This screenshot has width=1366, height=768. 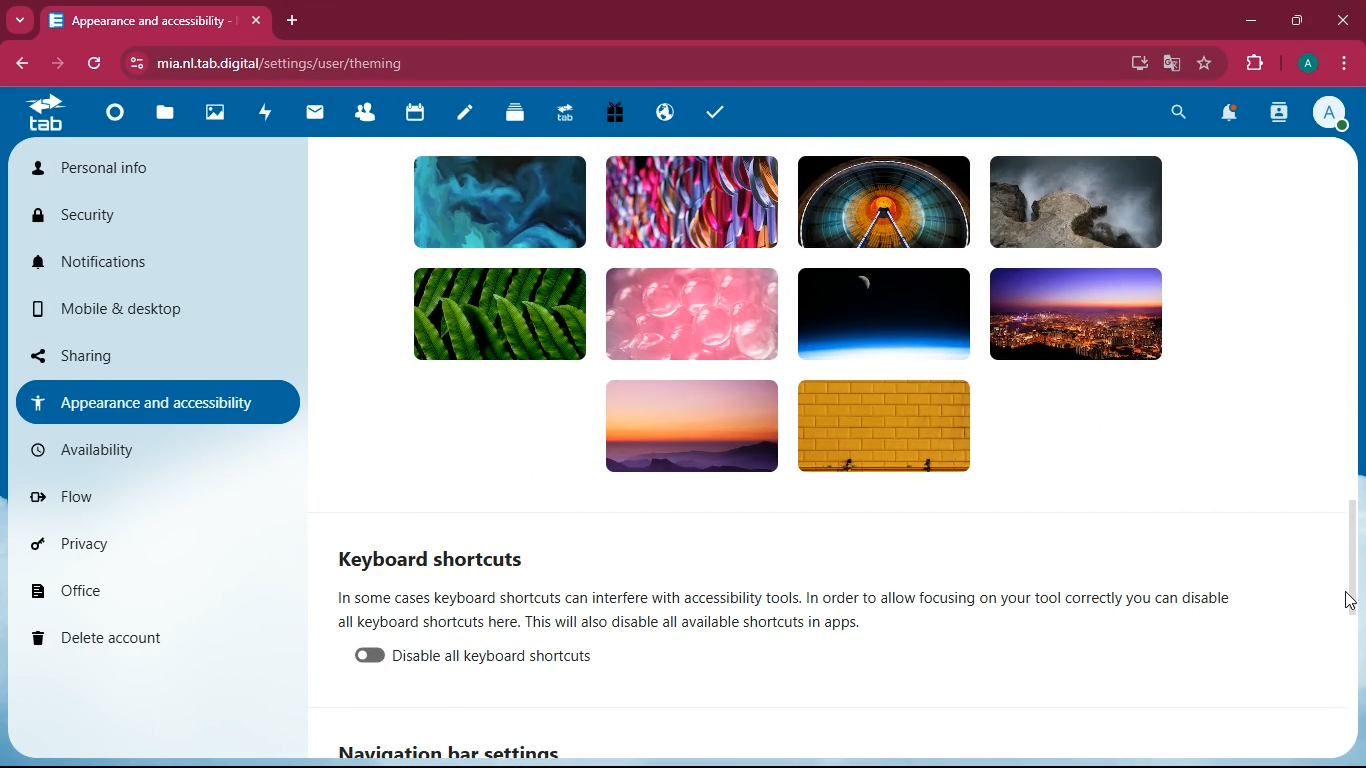 I want to click on mobile, so click(x=144, y=304).